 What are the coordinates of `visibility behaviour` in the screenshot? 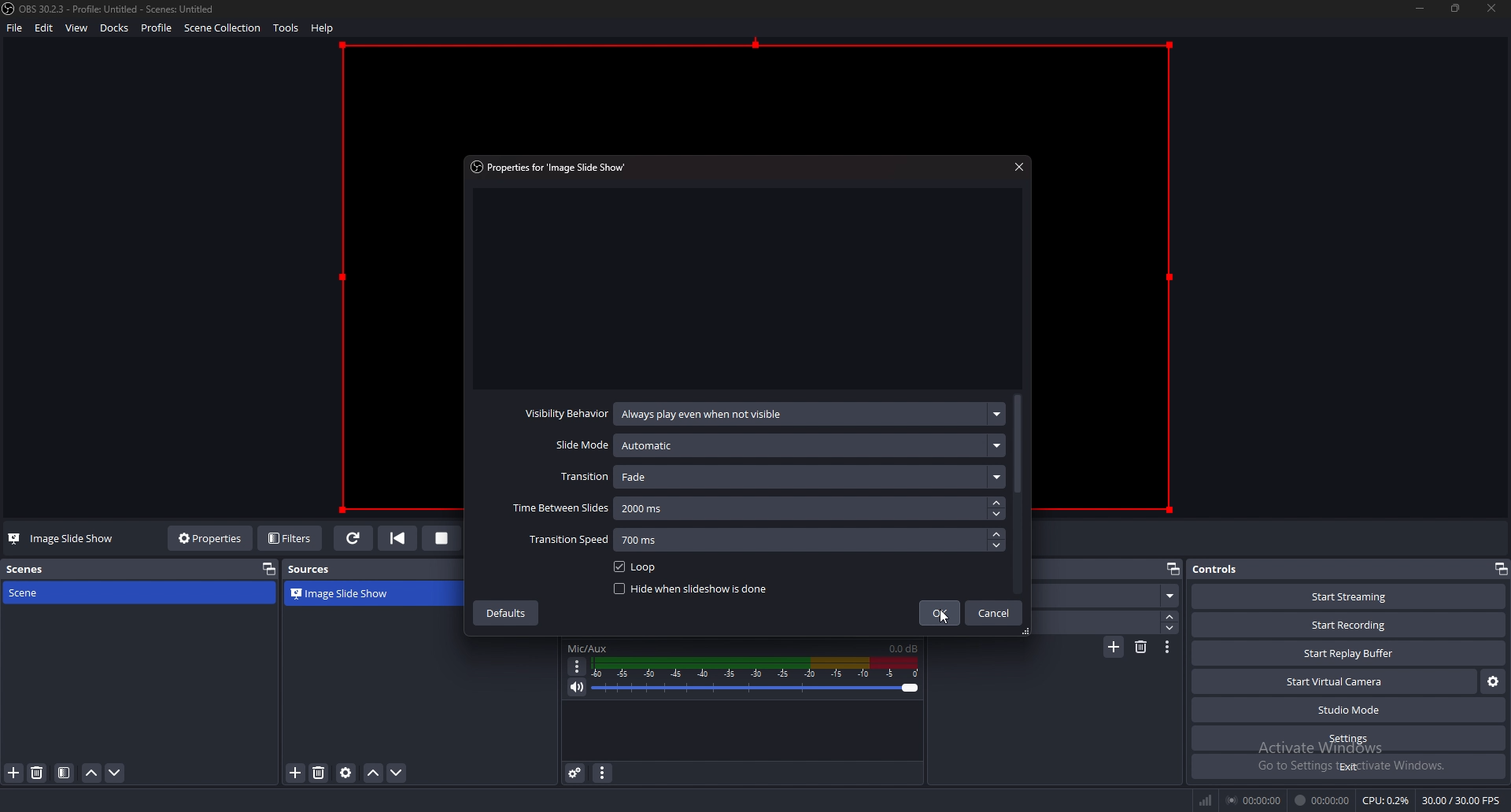 It's located at (759, 414).